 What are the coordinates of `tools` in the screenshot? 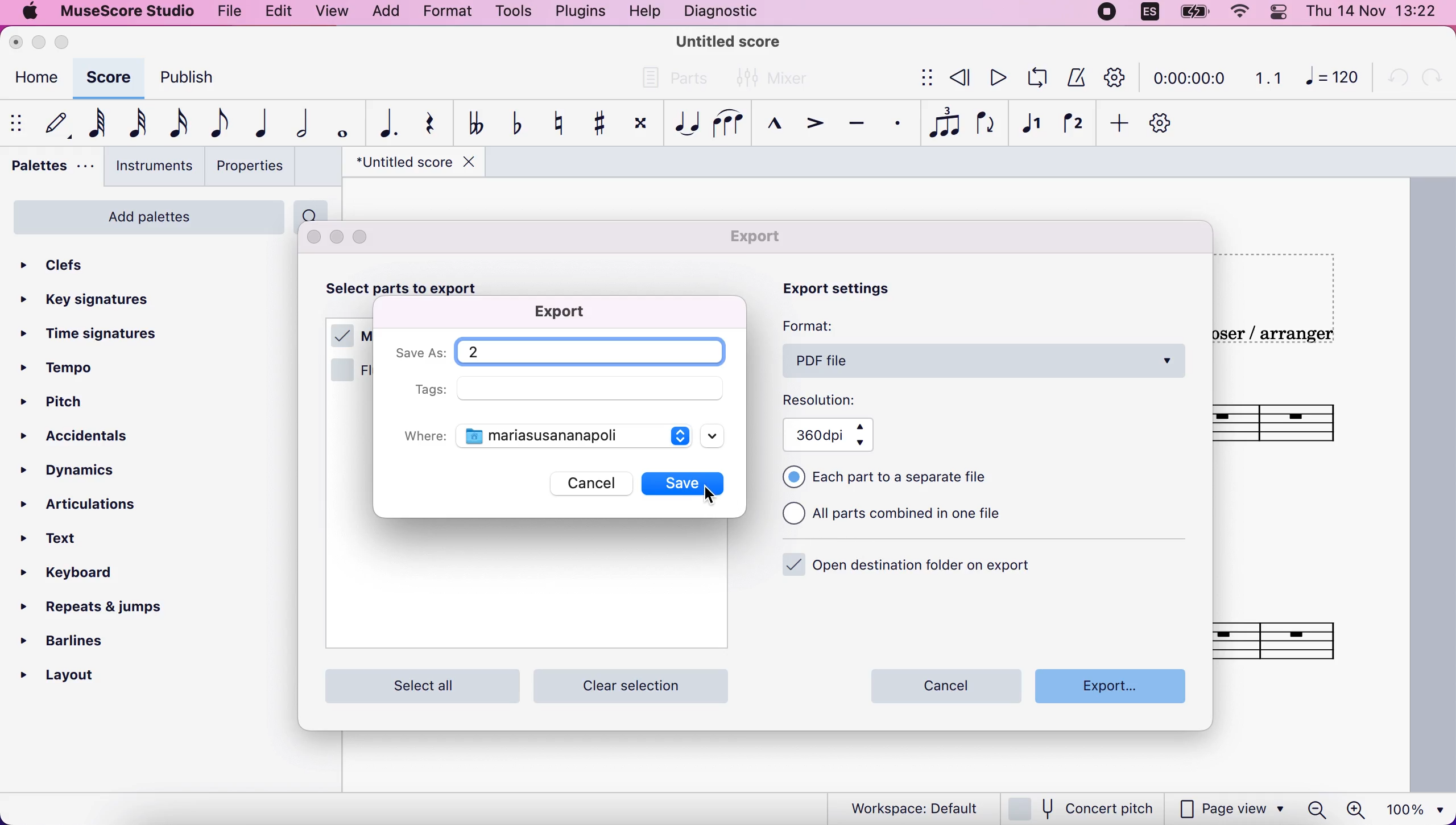 It's located at (508, 14).